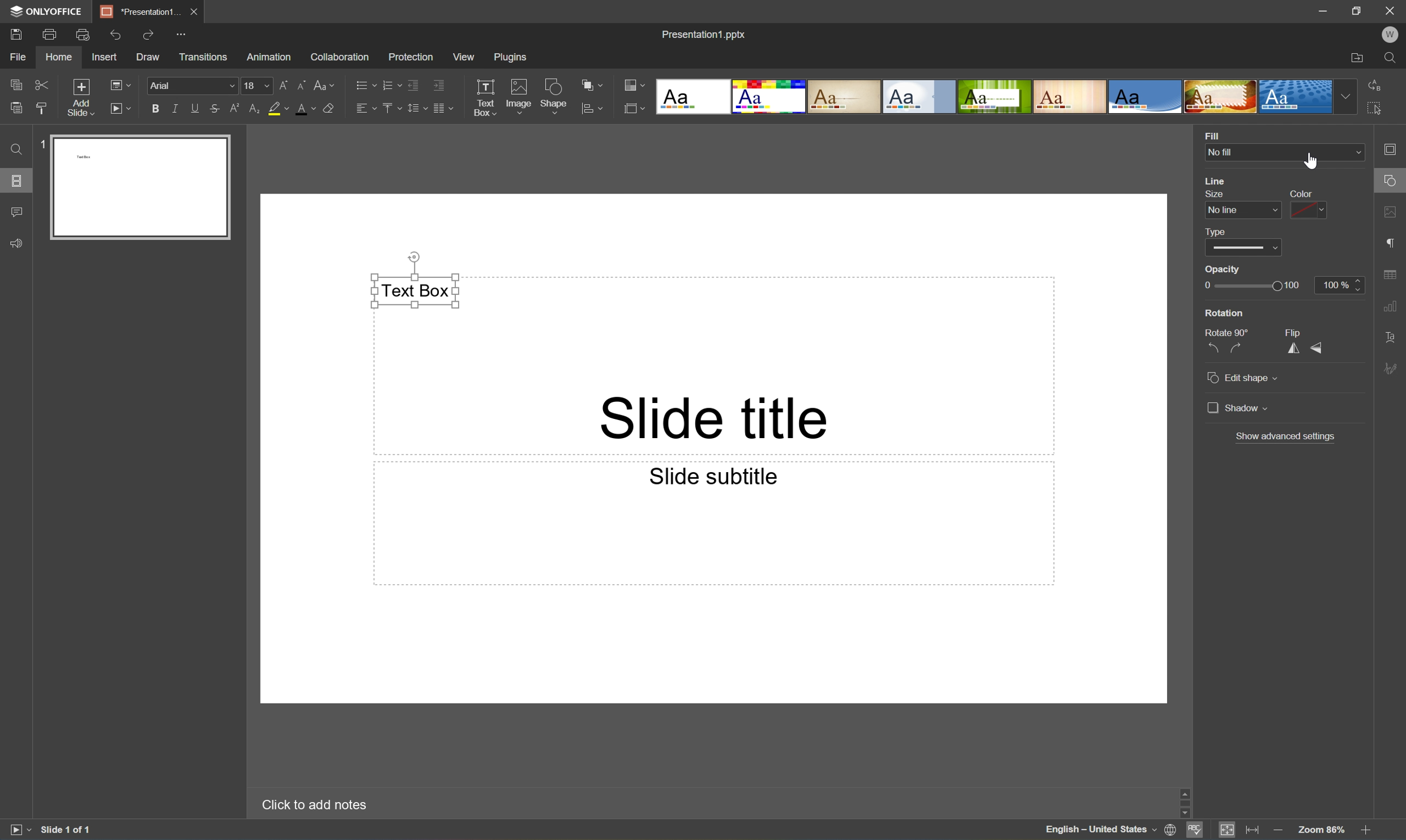  Describe the element at coordinates (1358, 8) in the screenshot. I see `Restore Down` at that location.